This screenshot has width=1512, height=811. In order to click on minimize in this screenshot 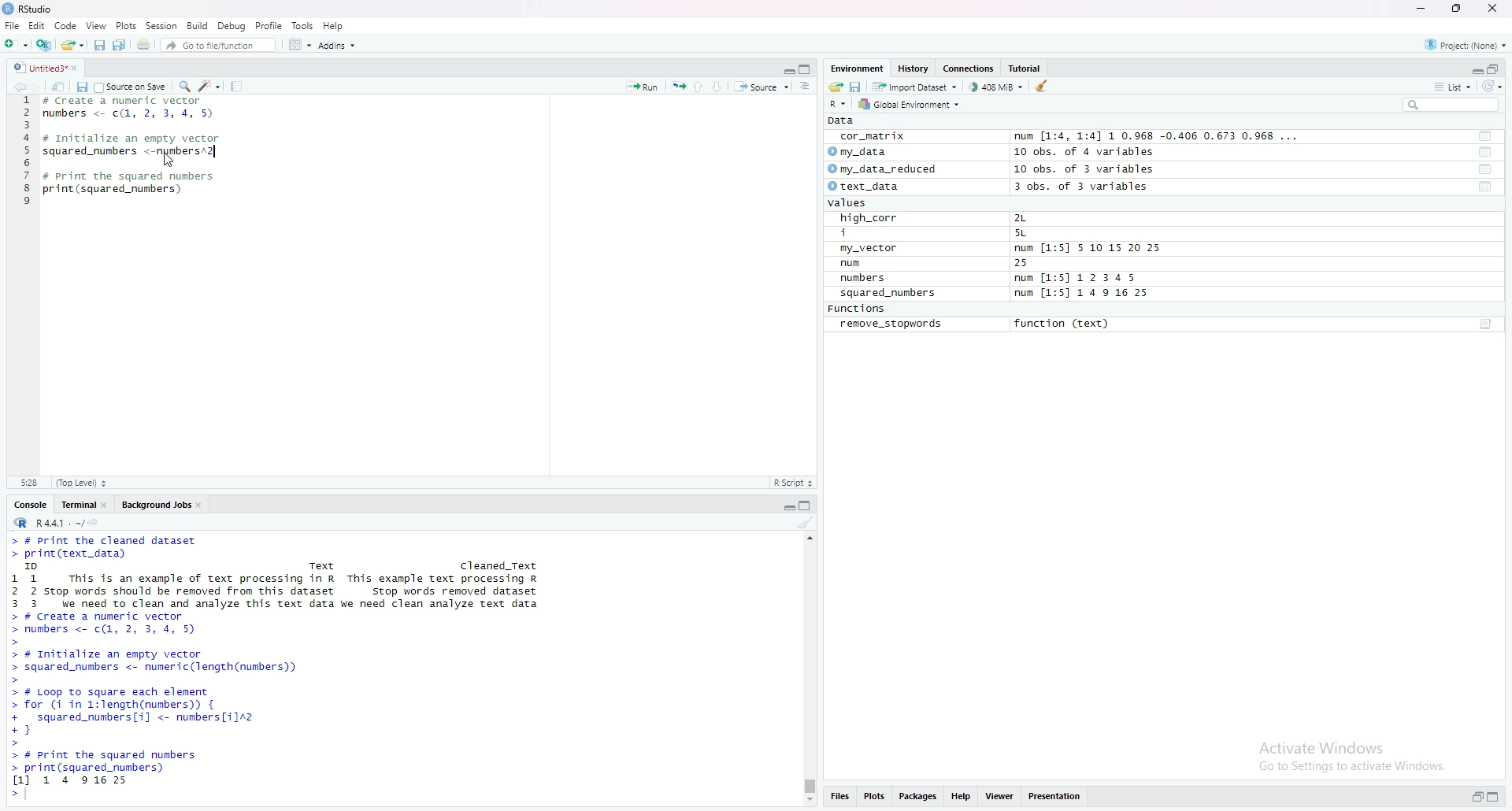, I will do `click(1475, 68)`.